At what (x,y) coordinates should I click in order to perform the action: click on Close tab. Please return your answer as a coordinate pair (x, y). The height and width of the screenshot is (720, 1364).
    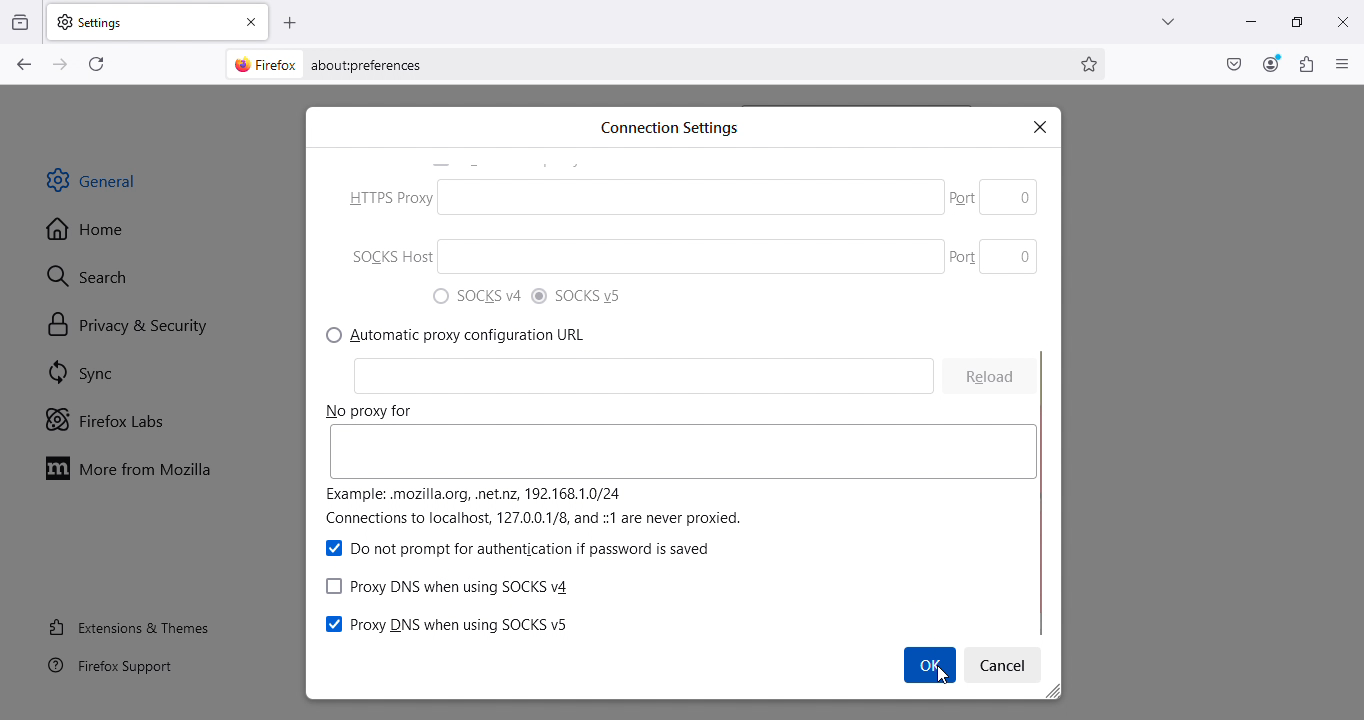
    Looking at the image, I should click on (255, 21).